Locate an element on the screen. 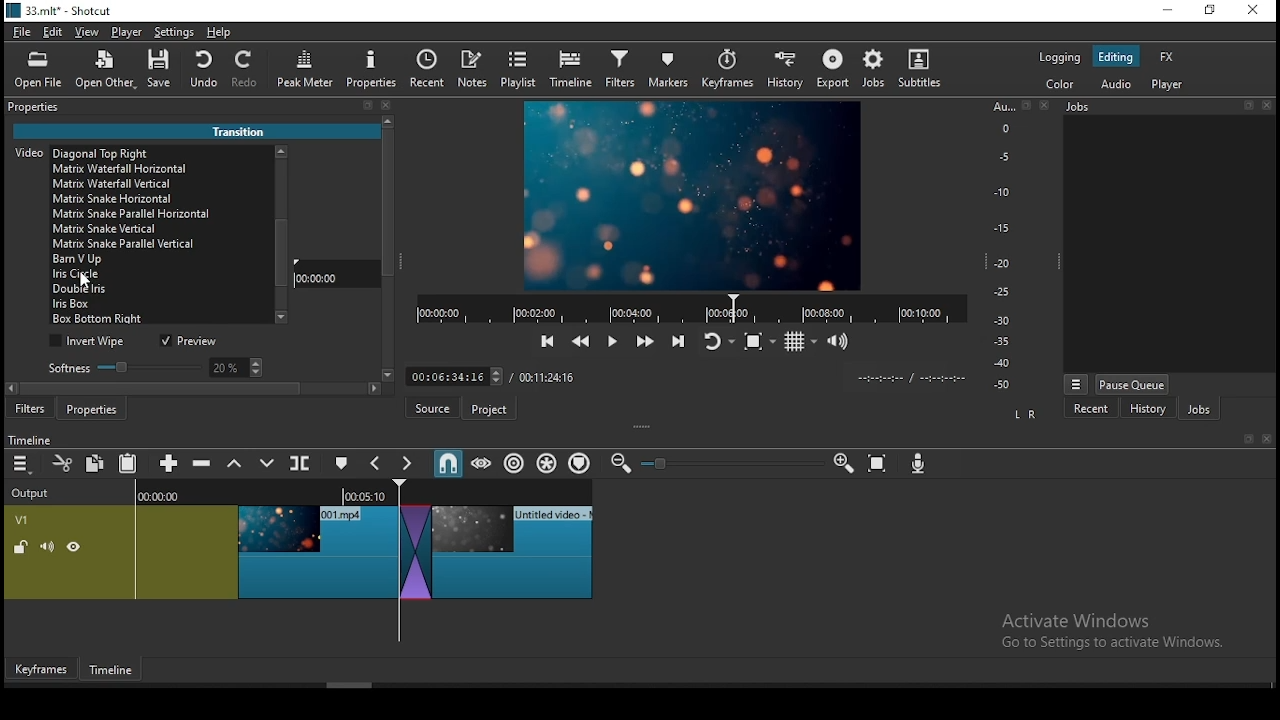 The height and width of the screenshot is (720, 1280). properties is located at coordinates (40, 106).